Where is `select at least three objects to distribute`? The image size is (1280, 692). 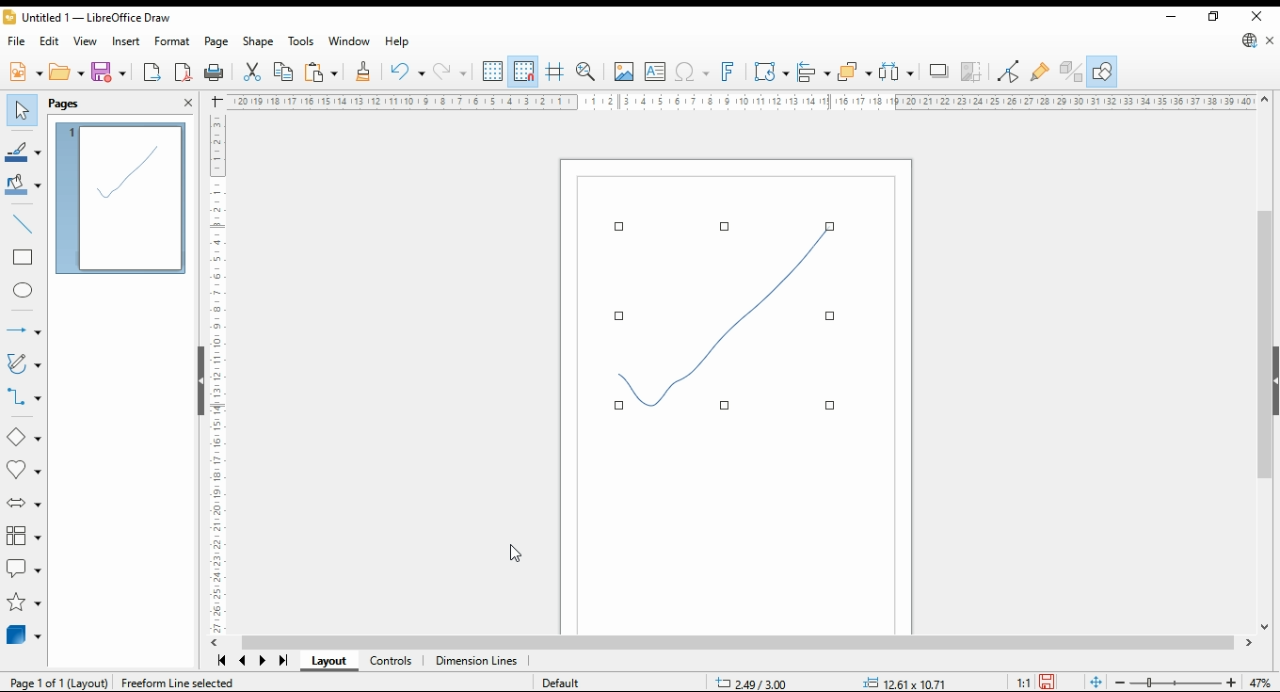
select at least three objects to distribute is located at coordinates (896, 72).